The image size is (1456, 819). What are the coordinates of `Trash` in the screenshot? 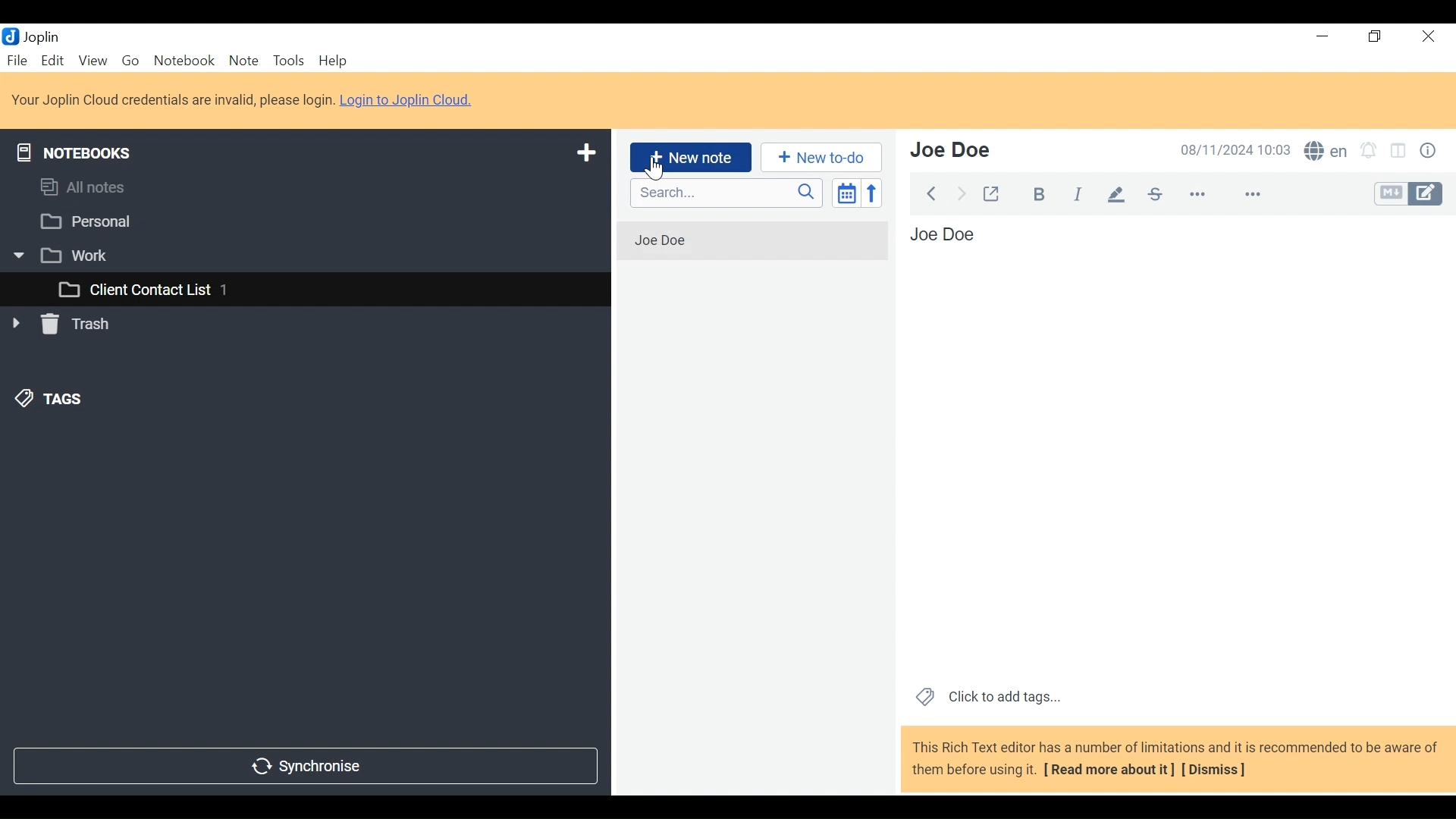 It's located at (64, 327).